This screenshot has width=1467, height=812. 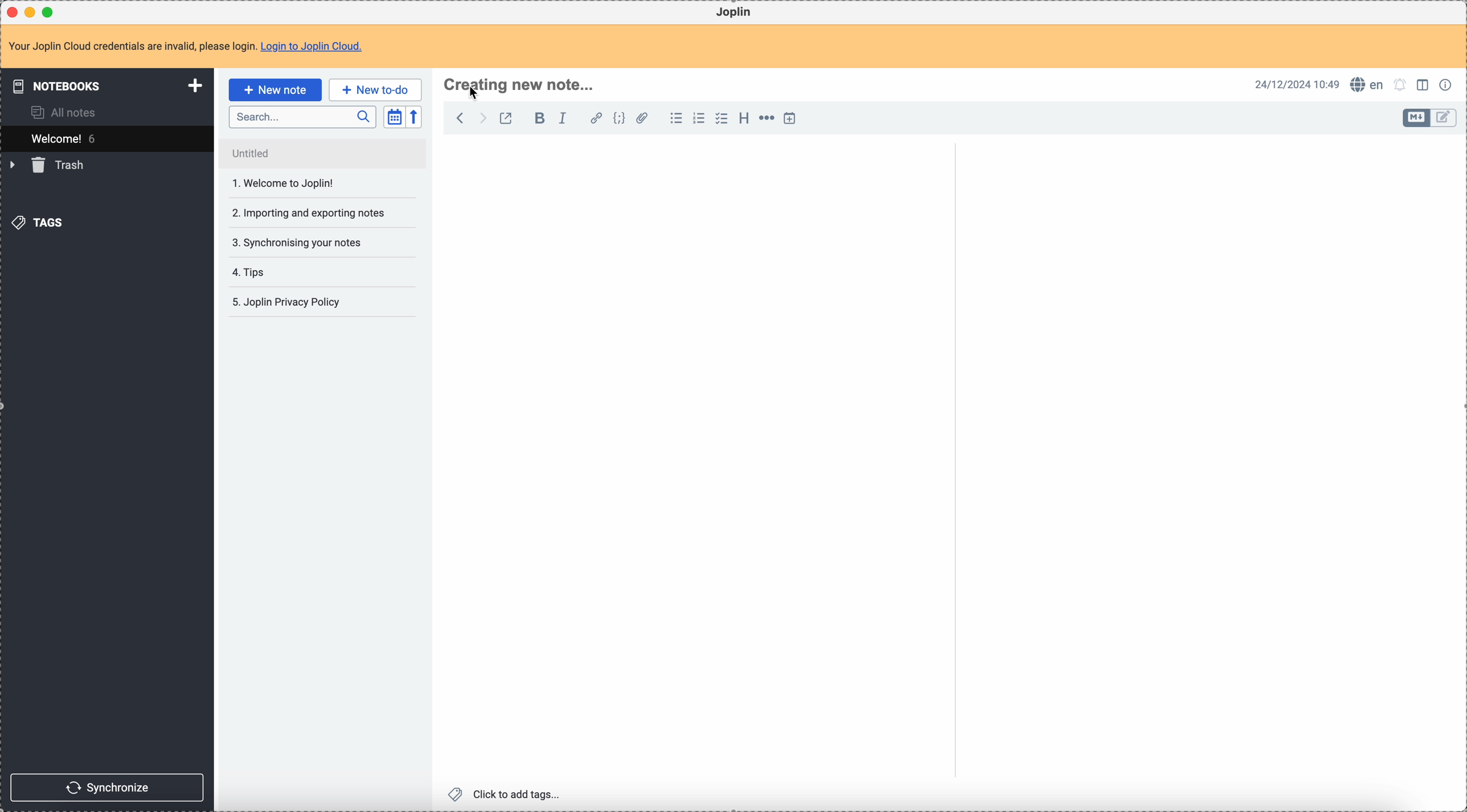 What do you see at coordinates (413, 118) in the screenshot?
I see `reverse sort order` at bounding box center [413, 118].